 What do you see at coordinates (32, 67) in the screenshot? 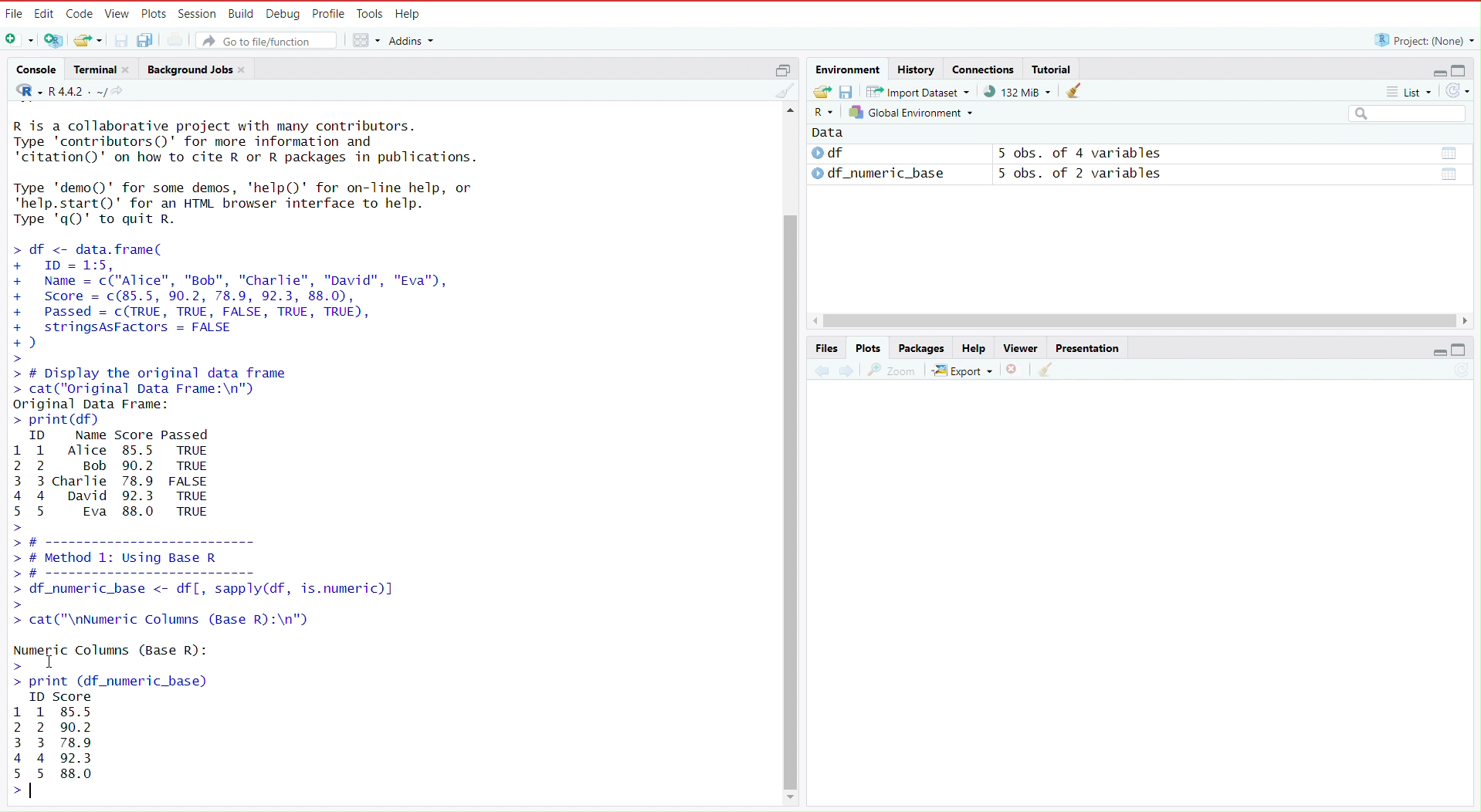
I see `console` at bounding box center [32, 67].